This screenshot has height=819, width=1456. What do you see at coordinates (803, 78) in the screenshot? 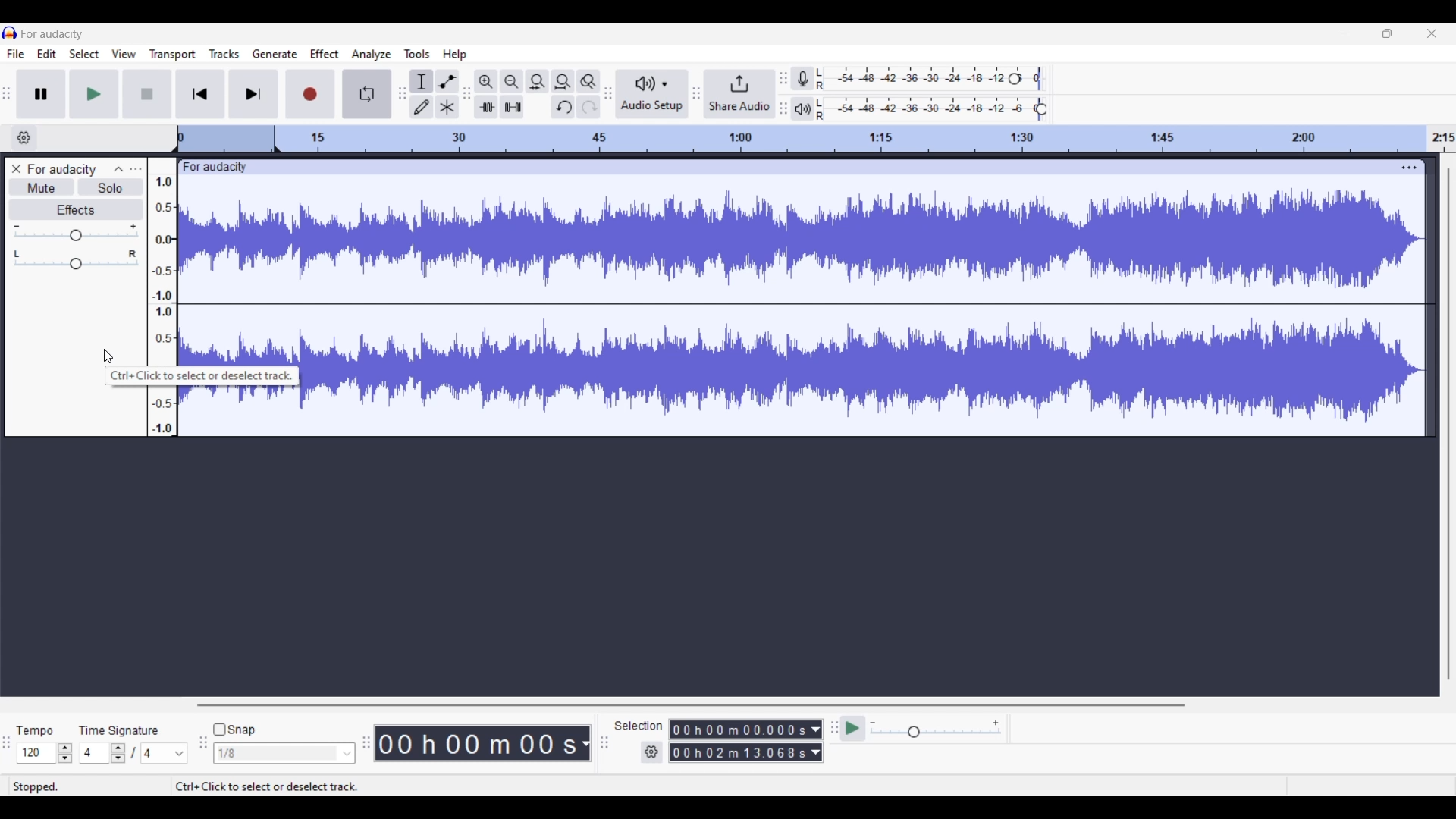
I see `Record meter` at bounding box center [803, 78].